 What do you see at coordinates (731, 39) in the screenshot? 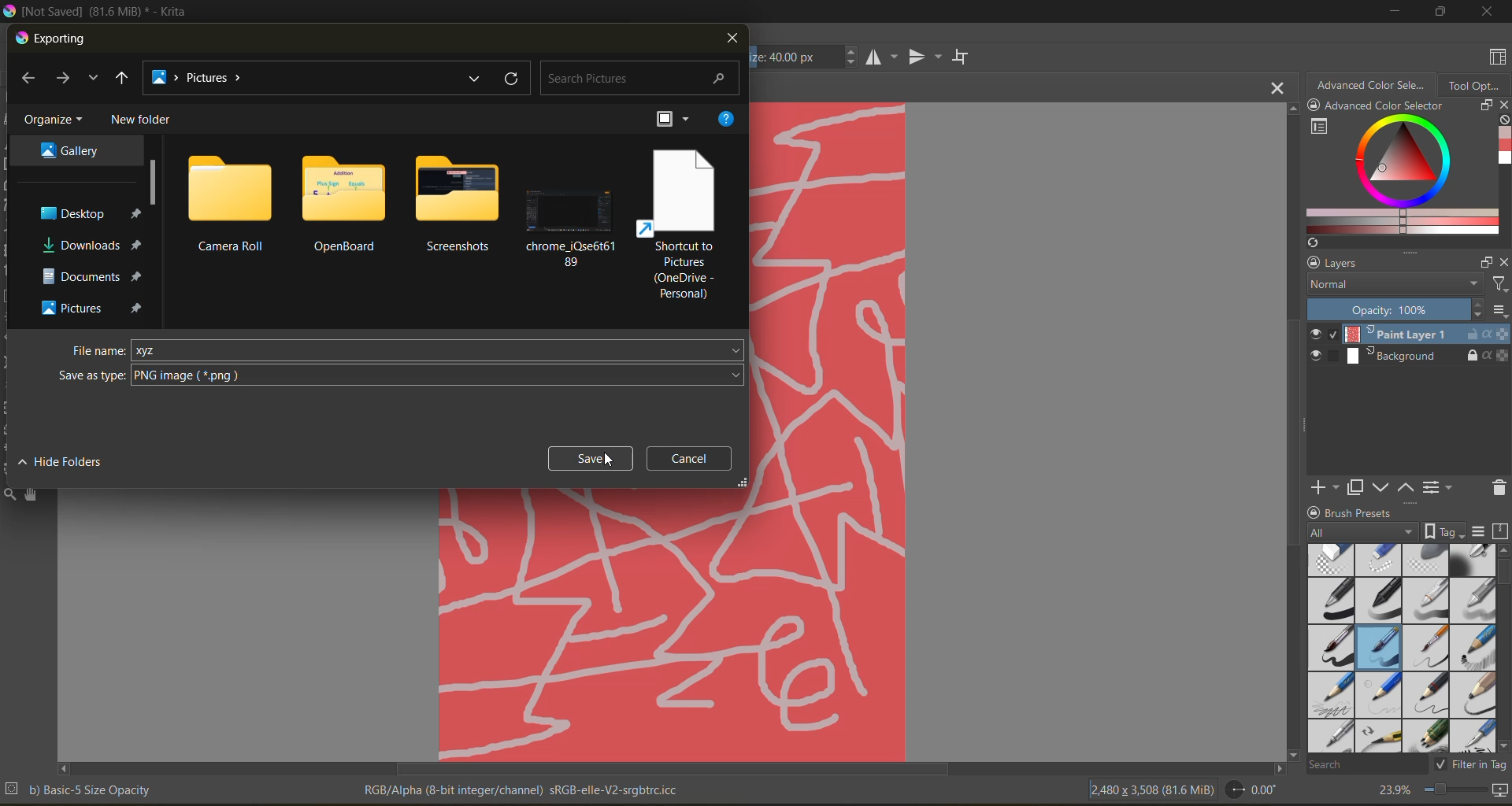
I see `close` at bounding box center [731, 39].